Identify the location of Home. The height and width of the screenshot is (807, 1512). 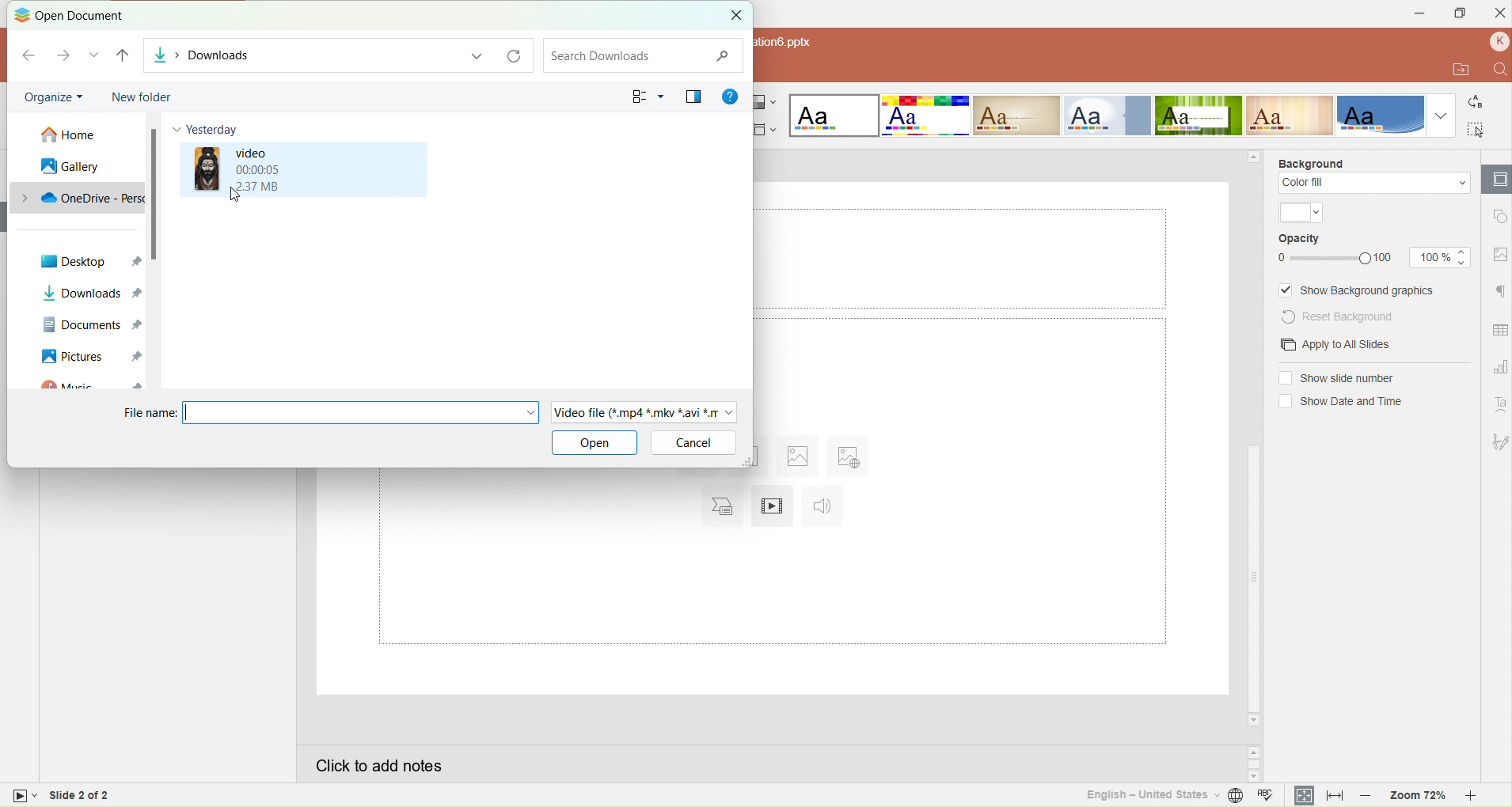
(64, 136).